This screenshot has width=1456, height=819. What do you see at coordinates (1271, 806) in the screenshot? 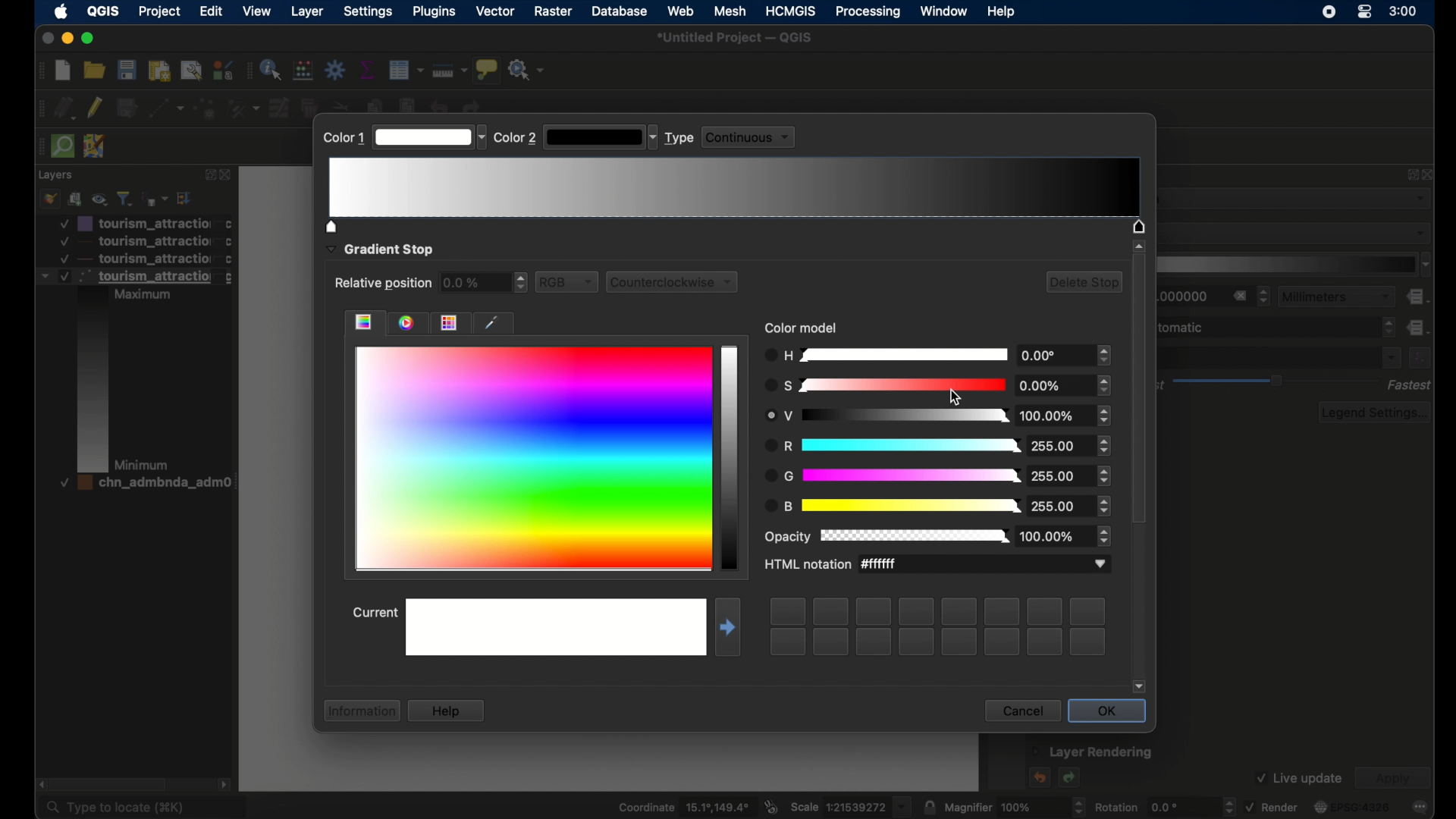
I see `render` at bounding box center [1271, 806].